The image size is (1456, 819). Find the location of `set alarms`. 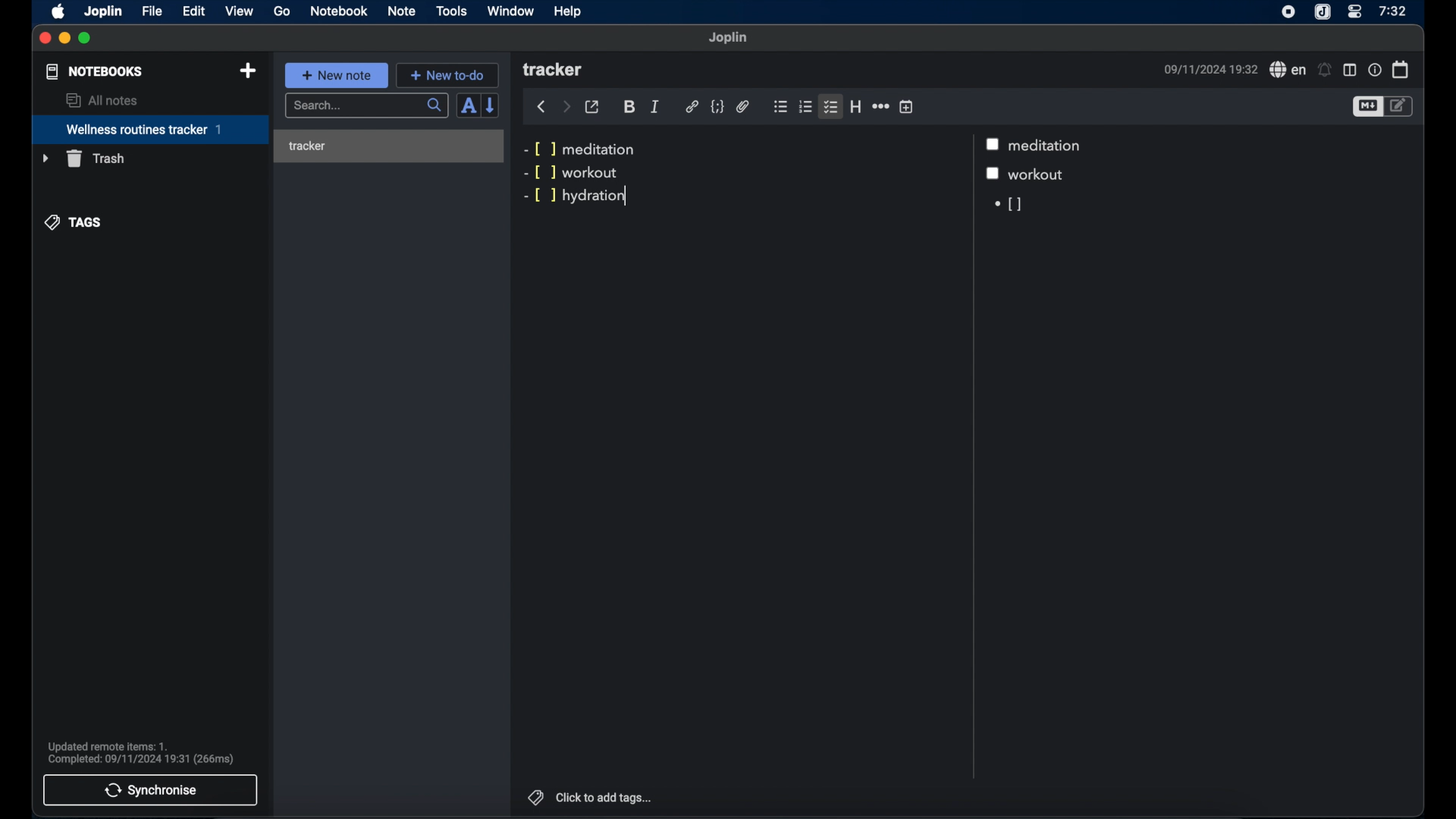

set alarms is located at coordinates (1325, 70).